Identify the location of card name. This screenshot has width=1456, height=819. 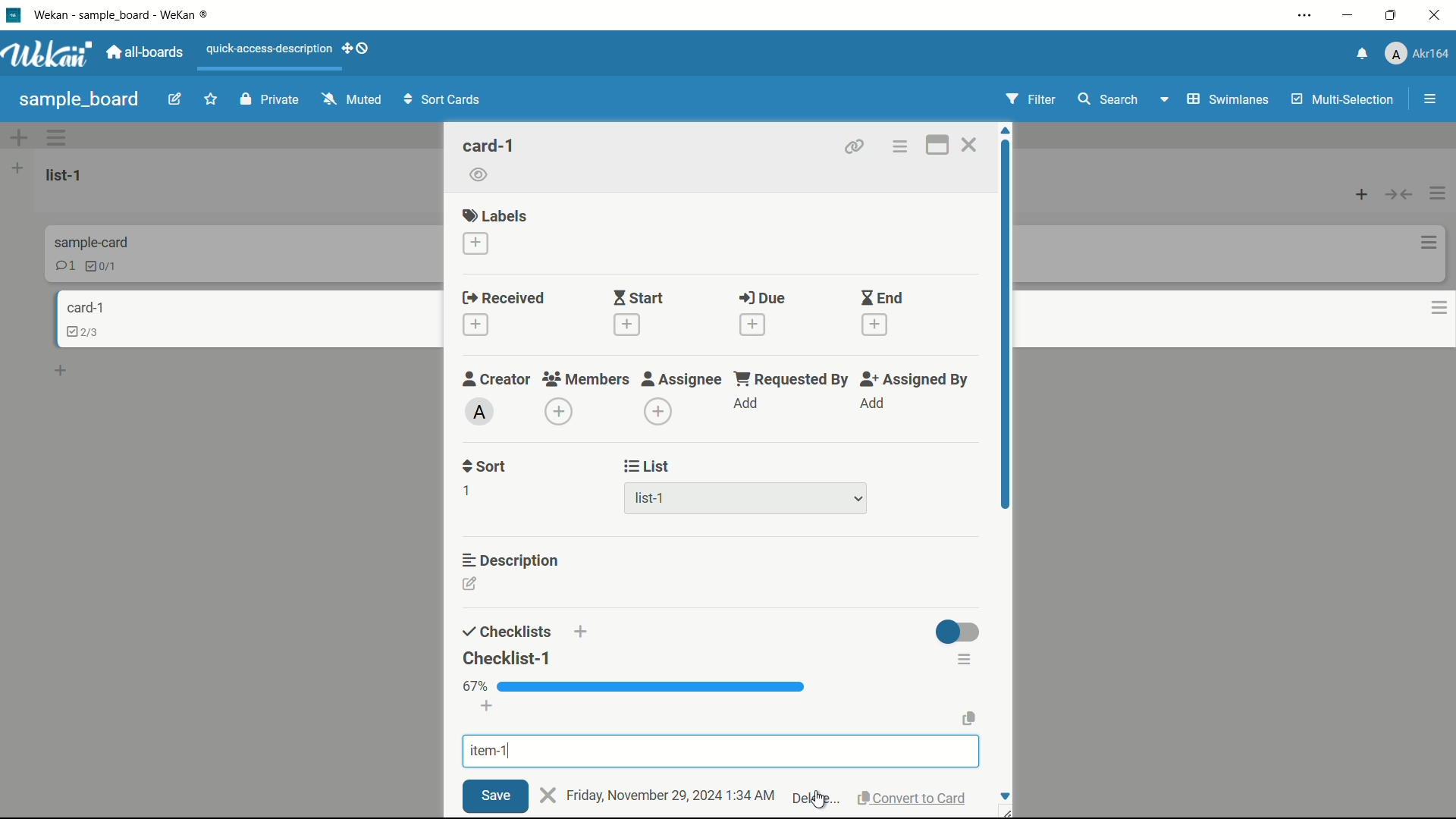
(488, 146).